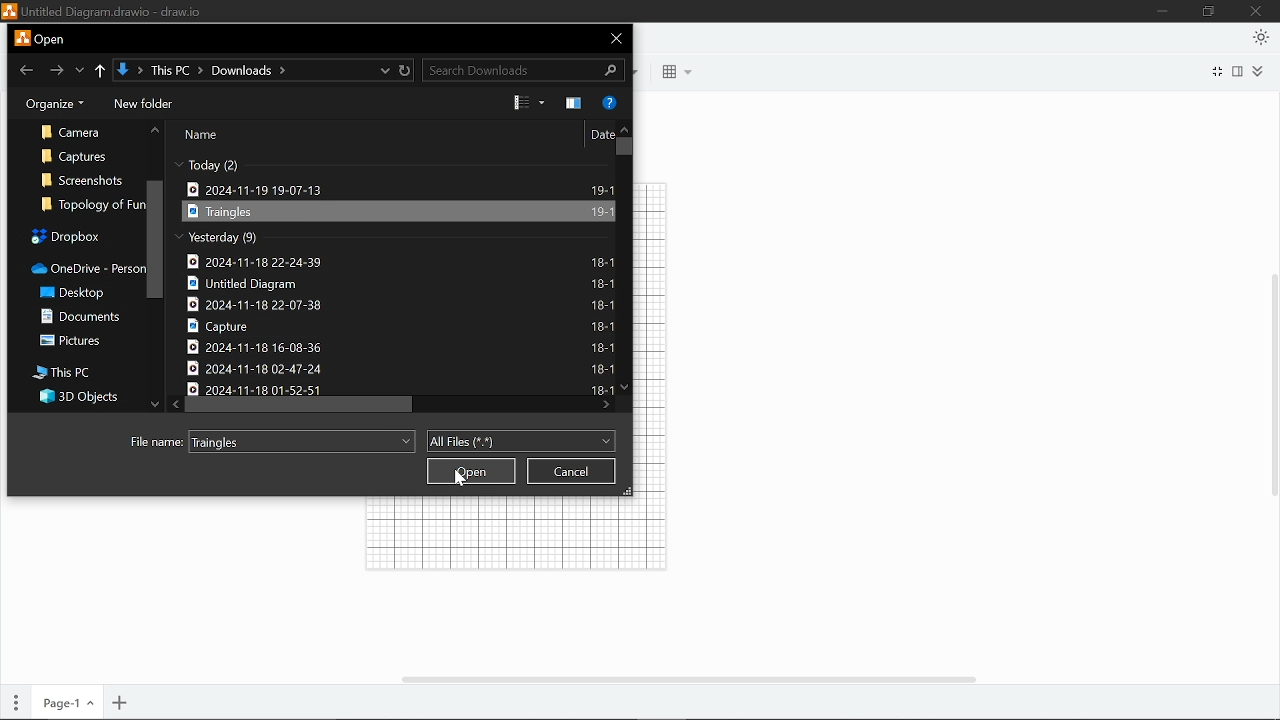 The width and height of the screenshot is (1280, 720). I want to click on Screenshots, so click(84, 179).